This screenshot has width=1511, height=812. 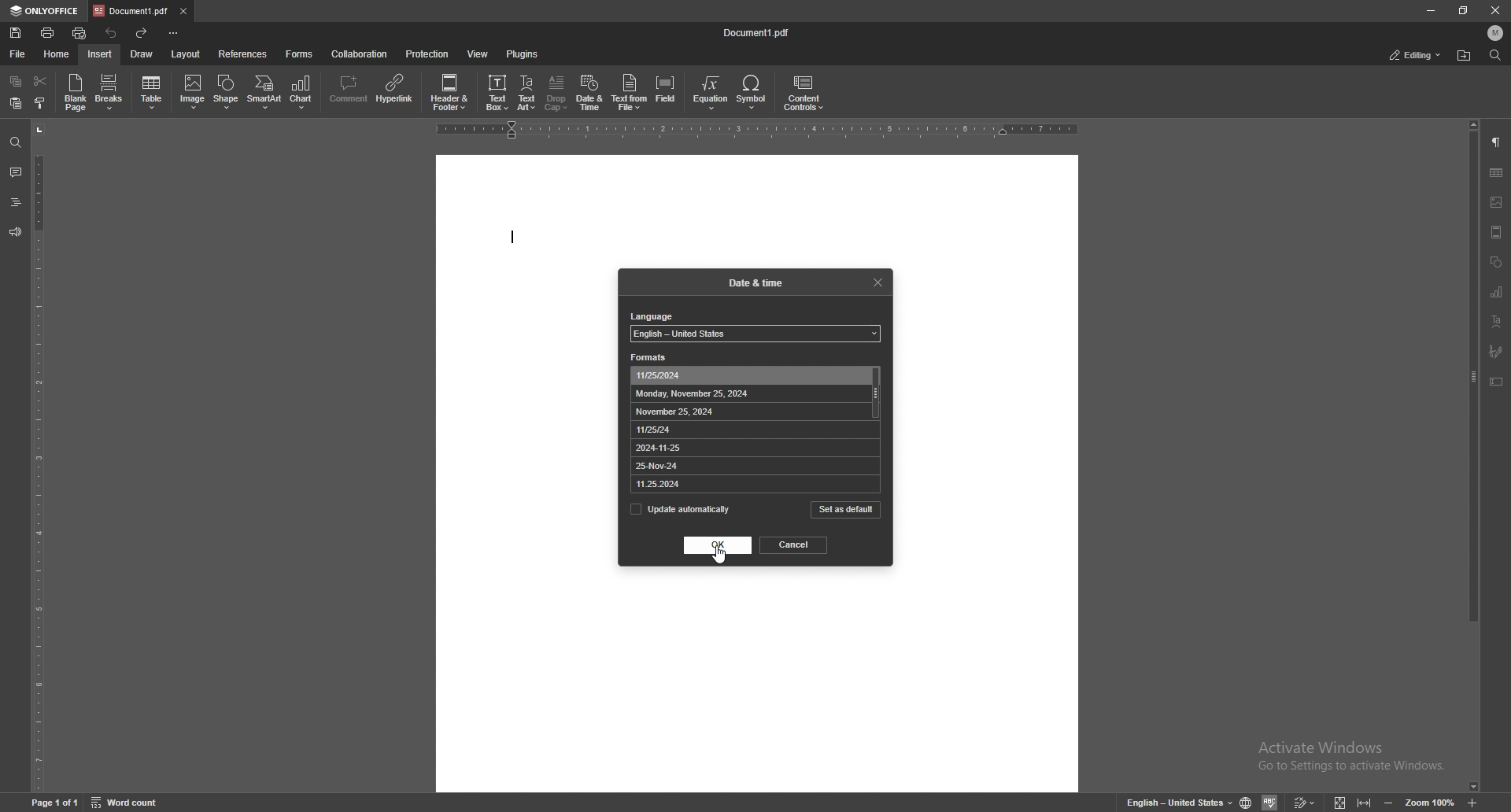 What do you see at coordinates (1498, 262) in the screenshot?
I see `shapes` at bounding box center [1498, 262].